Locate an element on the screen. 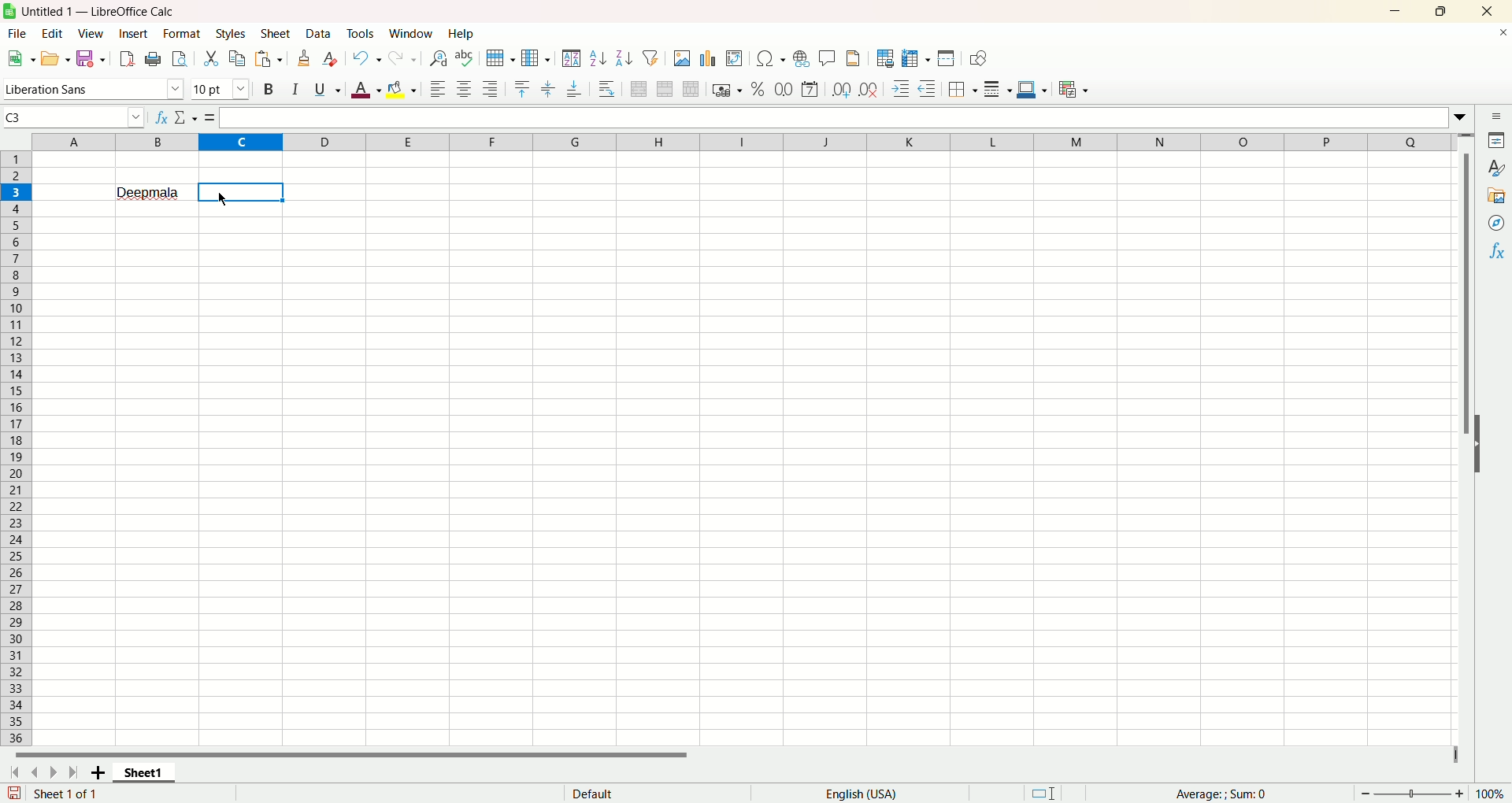 The height and width of the screenshot is (803, 1512). Sheet is located at coordinates (276, 33).